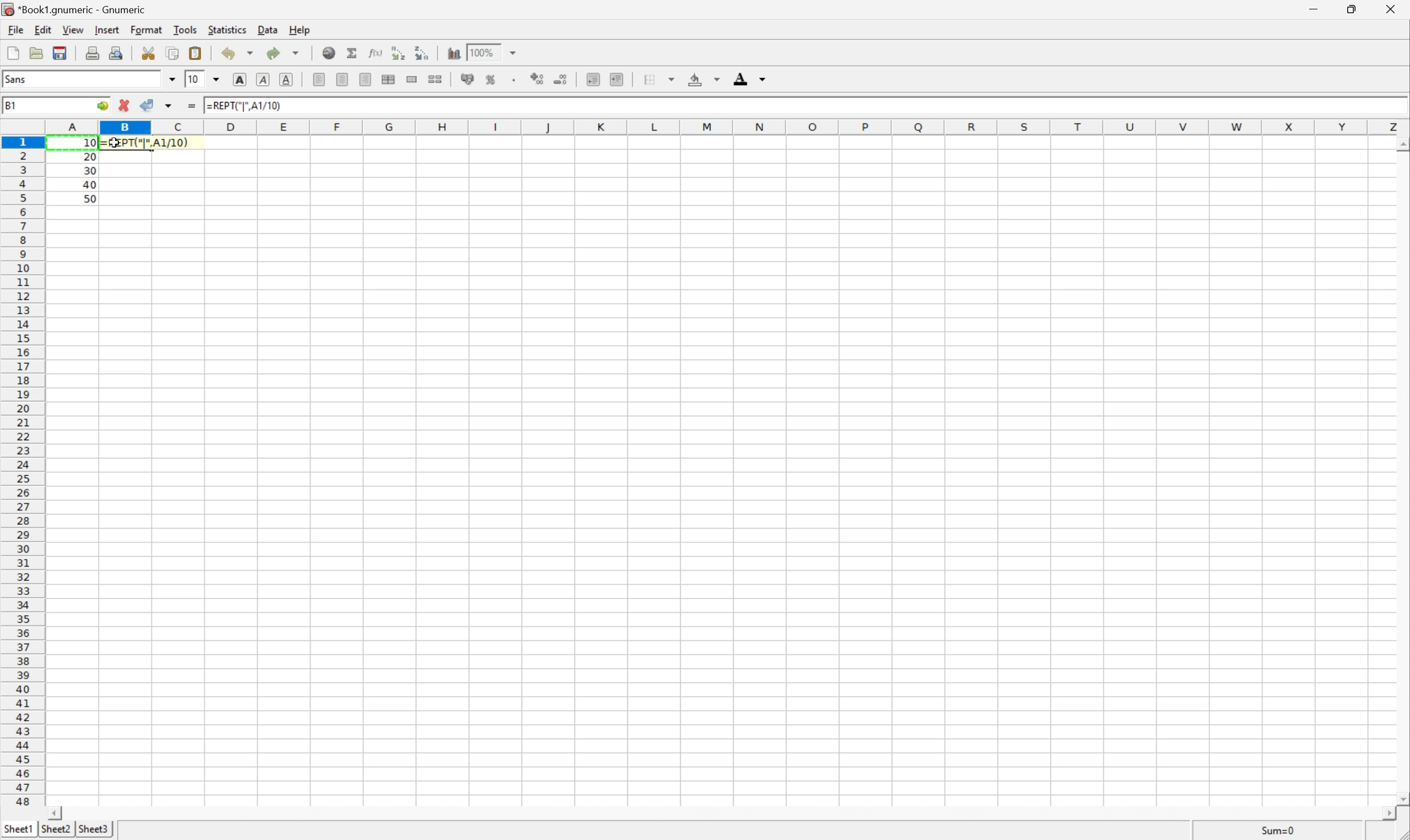 Image resolution: width=1410 pixels, height=840 pixels. I want to click on Save current workbook, so click(60, 54).